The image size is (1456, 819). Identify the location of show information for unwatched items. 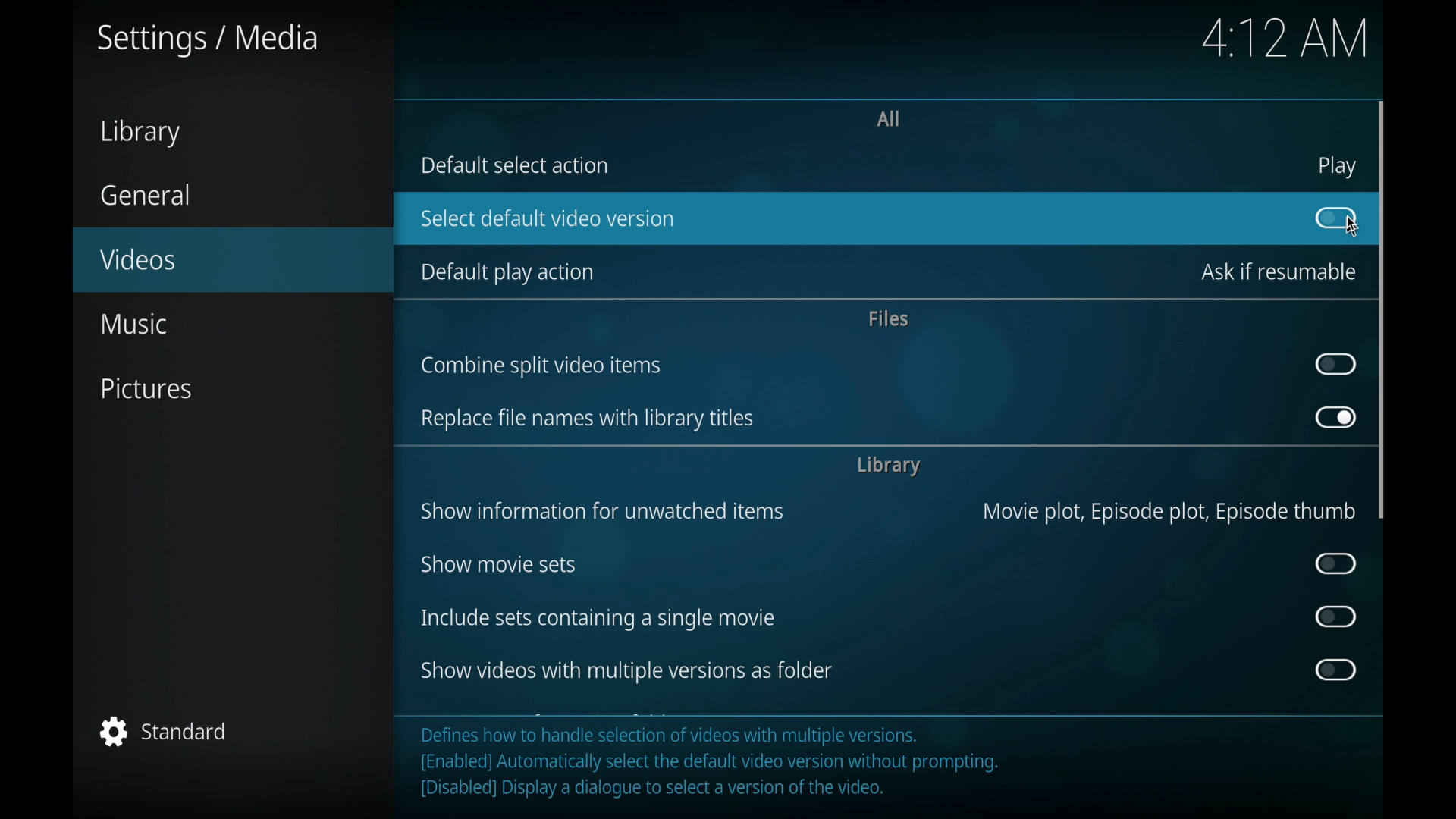
(601, 511).